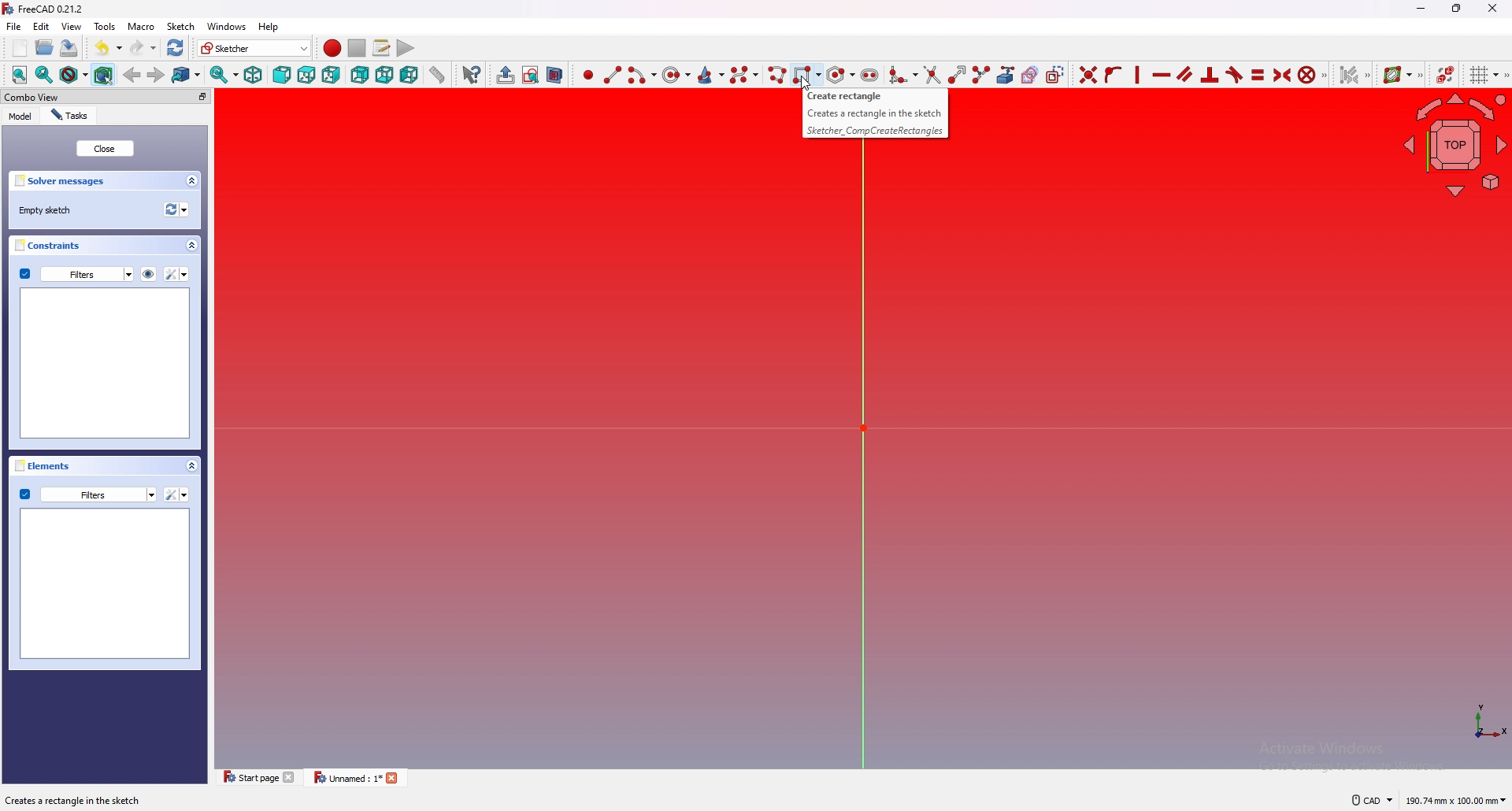 This screenshot has width=1512, height=811. I want to click on sketch, so click(180, 26).